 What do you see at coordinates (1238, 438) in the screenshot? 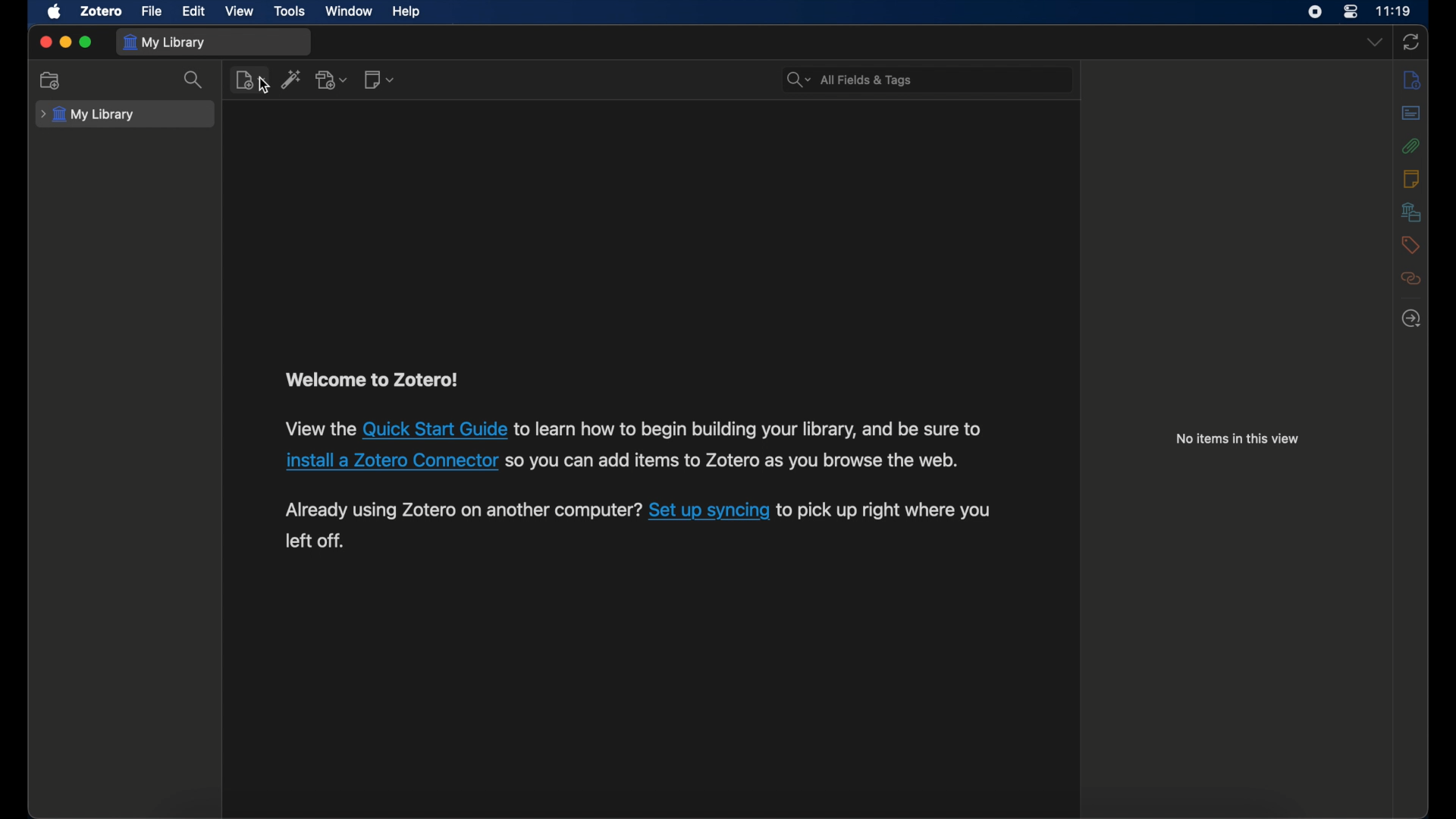
I see `no items in this view` at bounding box center [1238, 438].